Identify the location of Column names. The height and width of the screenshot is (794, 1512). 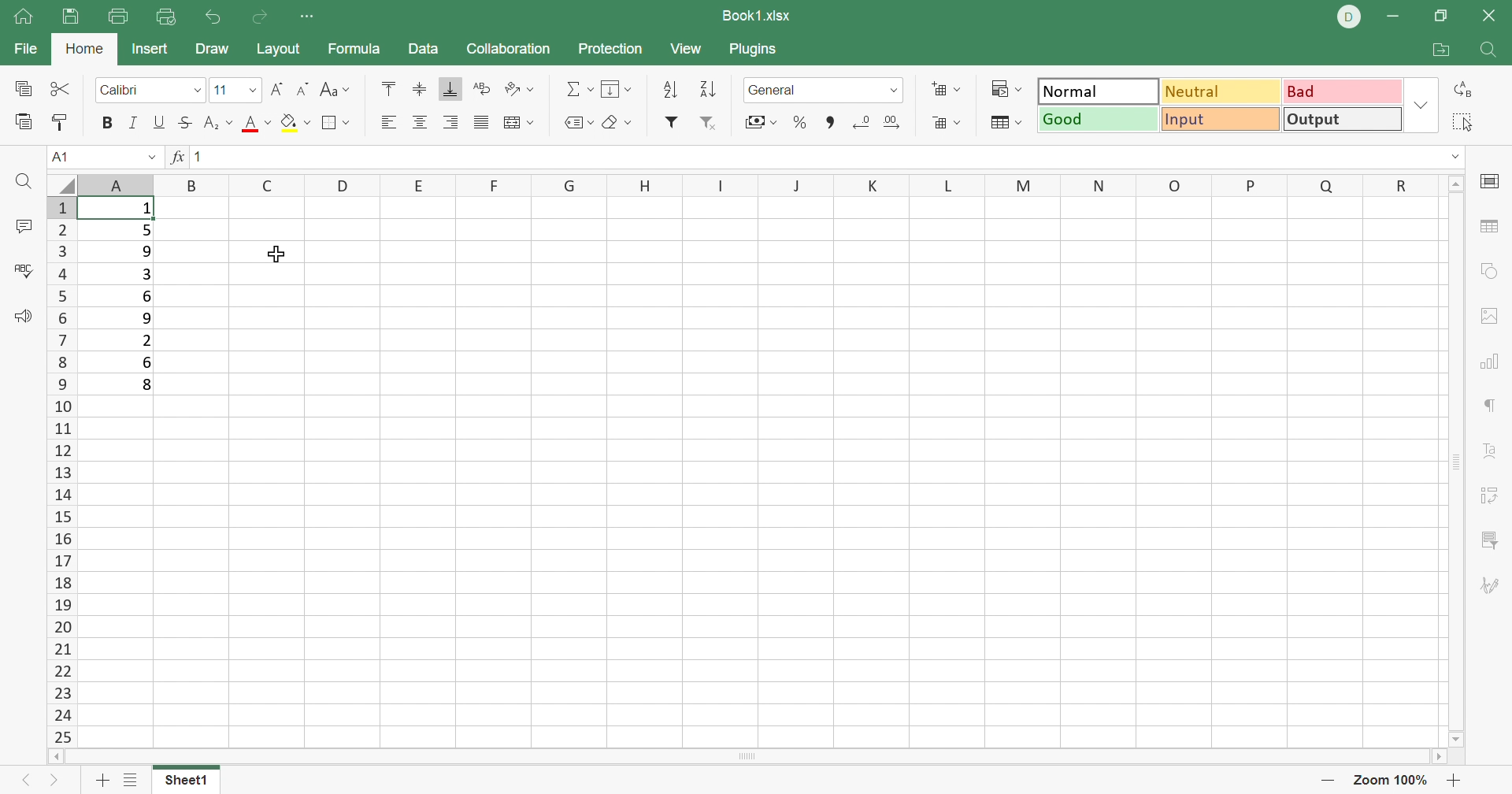
(758, 184).